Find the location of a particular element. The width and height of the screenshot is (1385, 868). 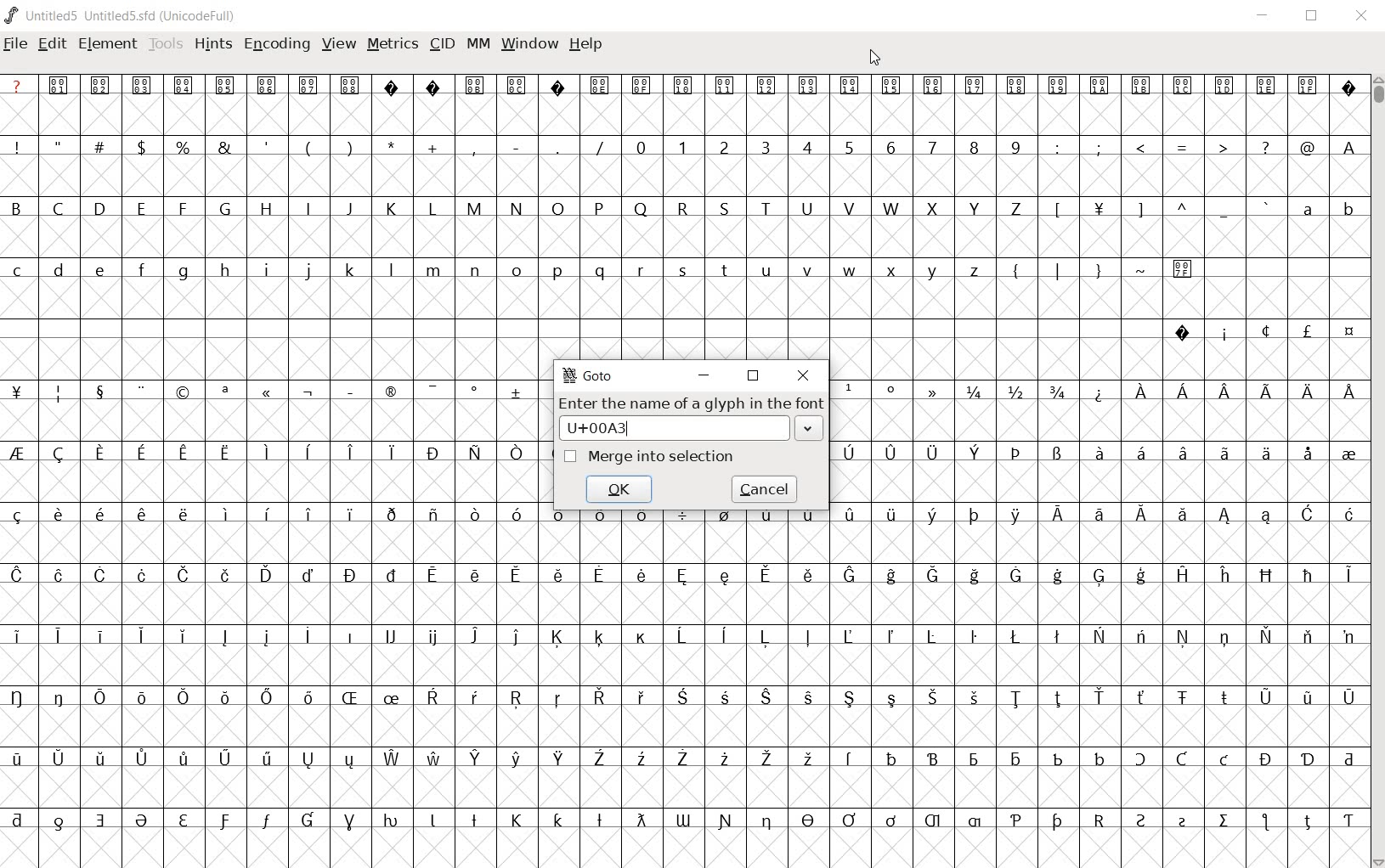

Symbol is located at coordinates (1348, 758).